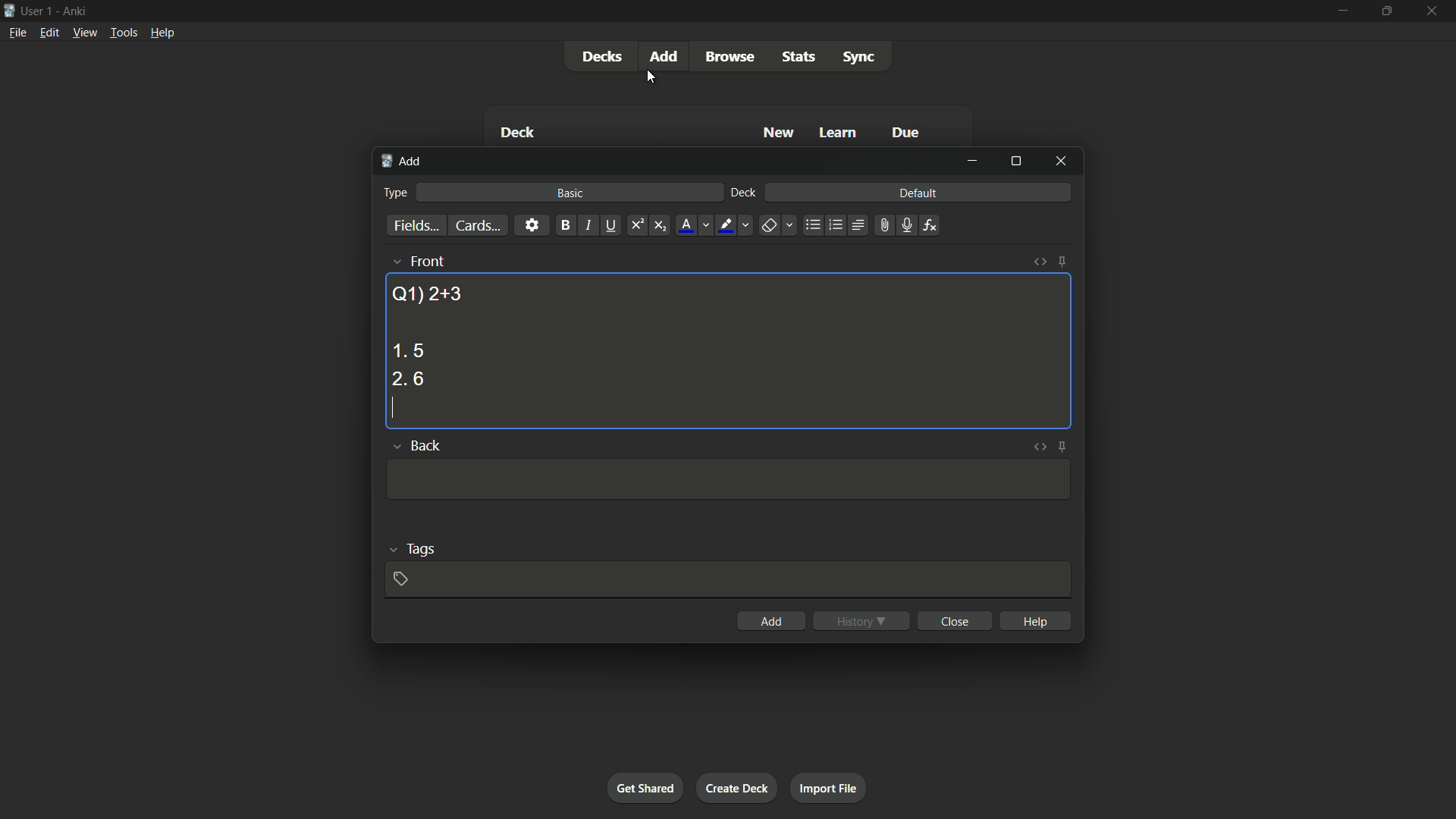 The width and height of the screenshot is (1456, 819). What do you see at coordinates (1062, 262) in the screenshot?
I see `toggle sticky` at bounding box center [1062, 262].